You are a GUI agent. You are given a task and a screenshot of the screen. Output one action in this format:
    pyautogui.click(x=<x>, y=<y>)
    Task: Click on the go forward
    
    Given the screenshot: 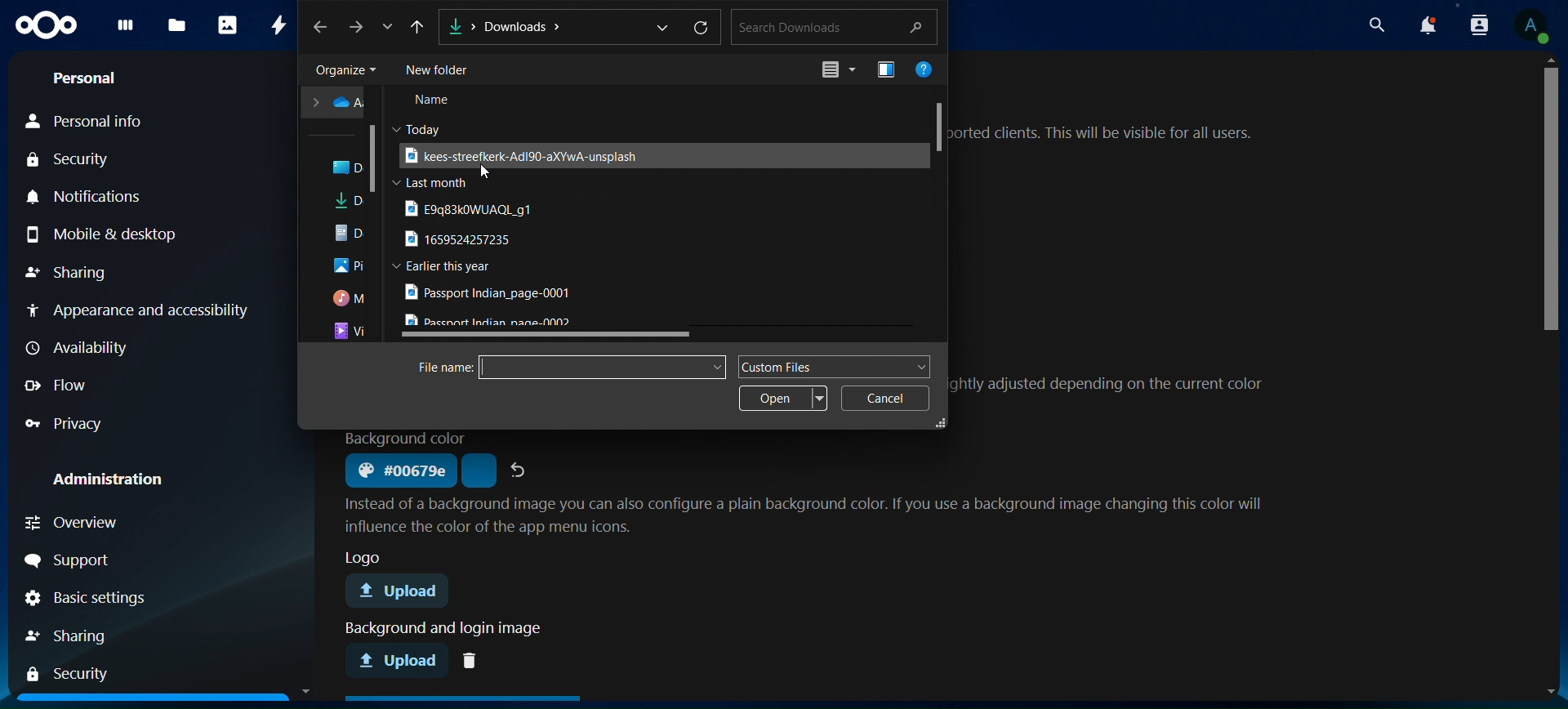 What is the action you would take?
    pyautogui.click(x=359, y=26)
    